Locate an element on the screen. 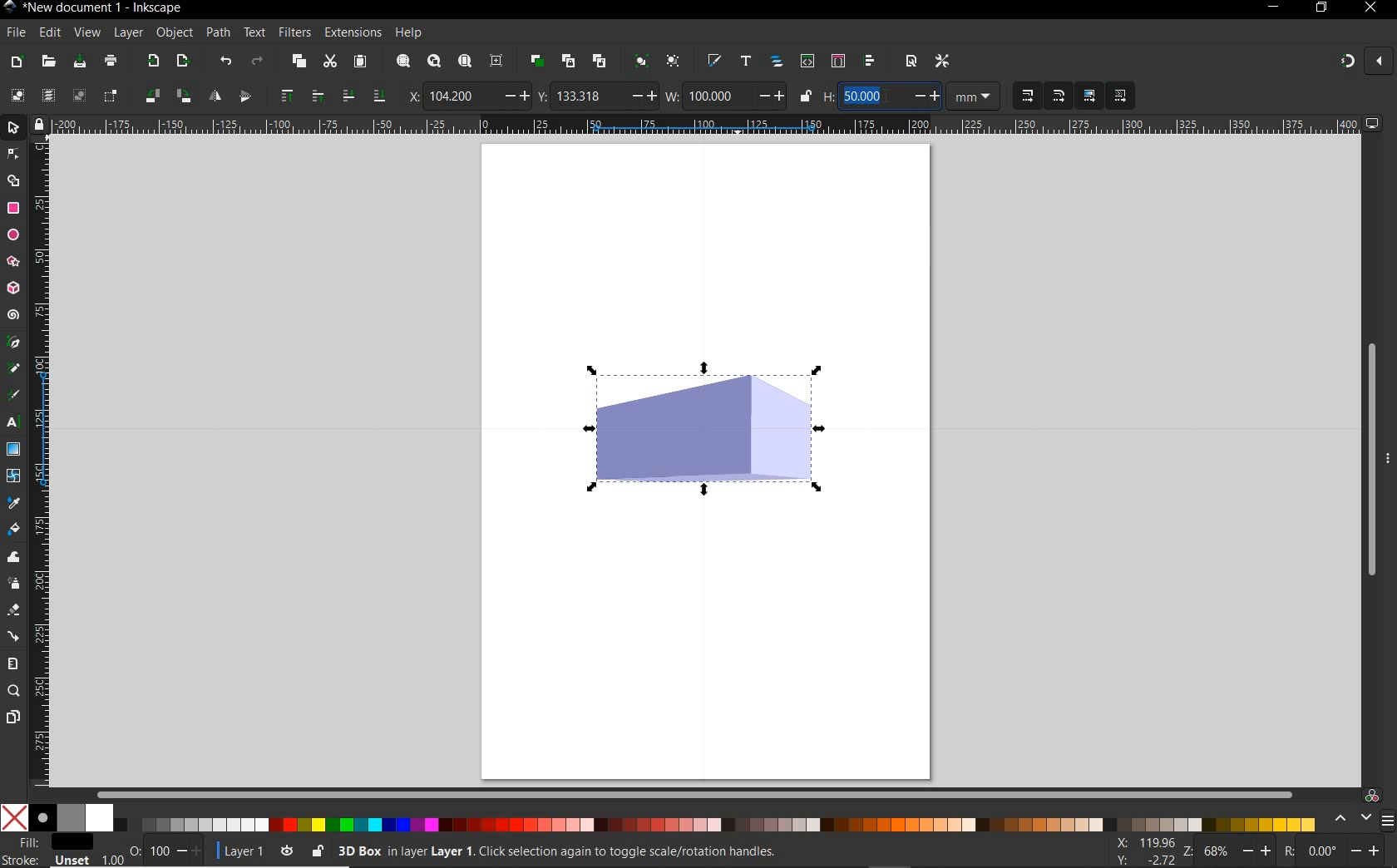 The image size is (1397, 868). current layer is located at coordinates (244, 851).